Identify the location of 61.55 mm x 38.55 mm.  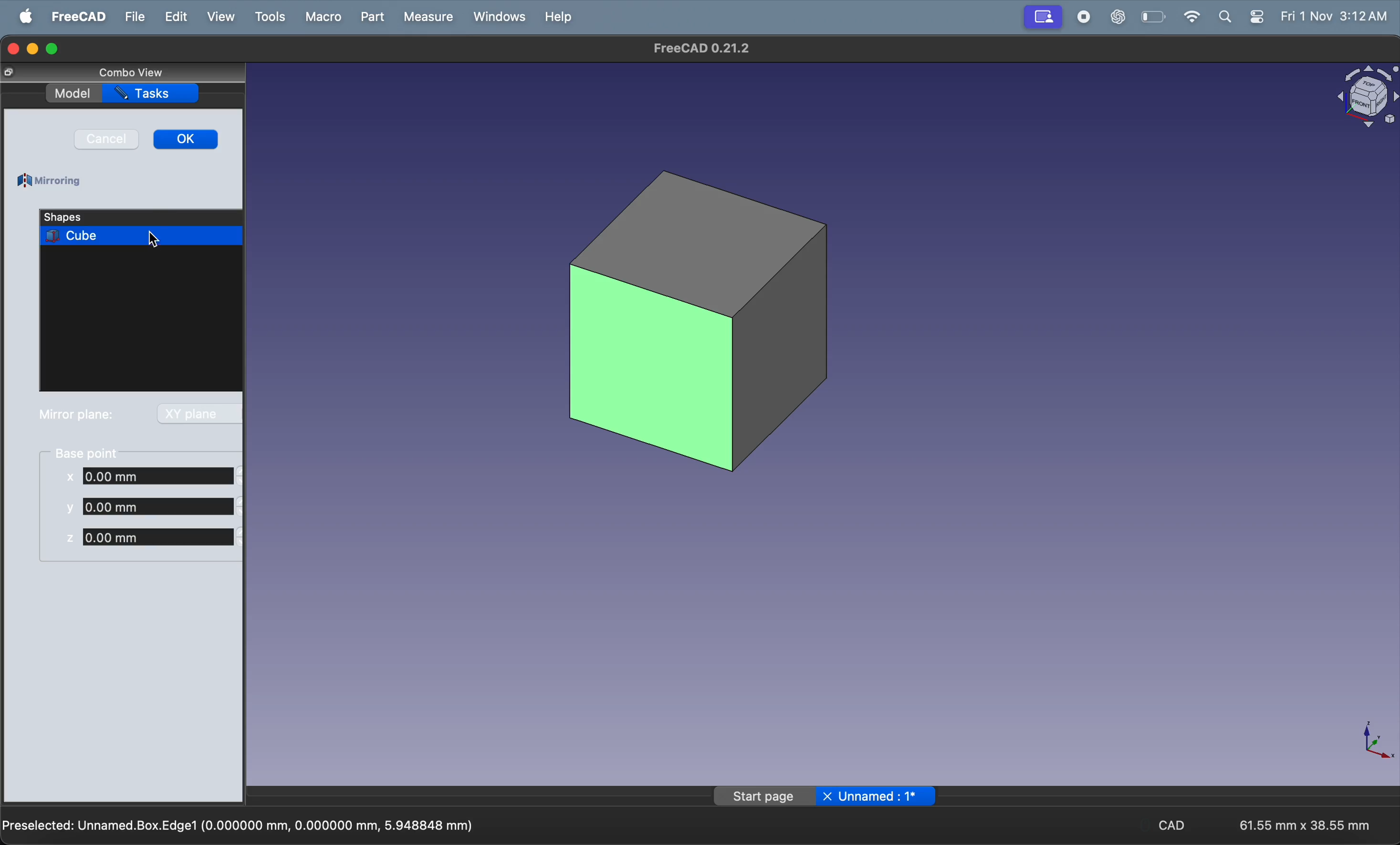
(1305, 825).